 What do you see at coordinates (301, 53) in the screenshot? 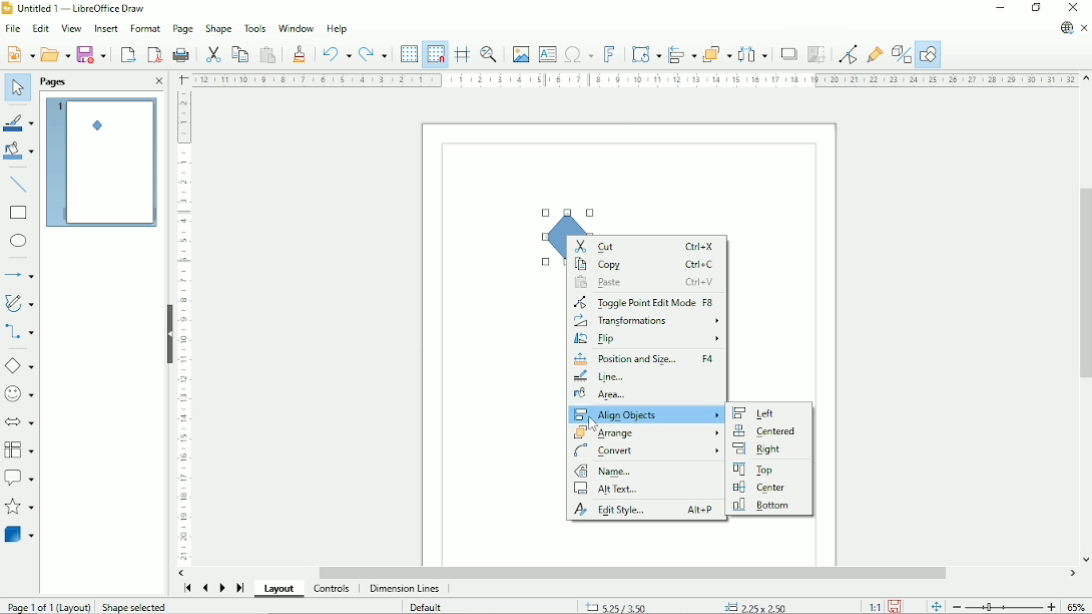
I see `Clone formatting` at bounding box center [301, 53].